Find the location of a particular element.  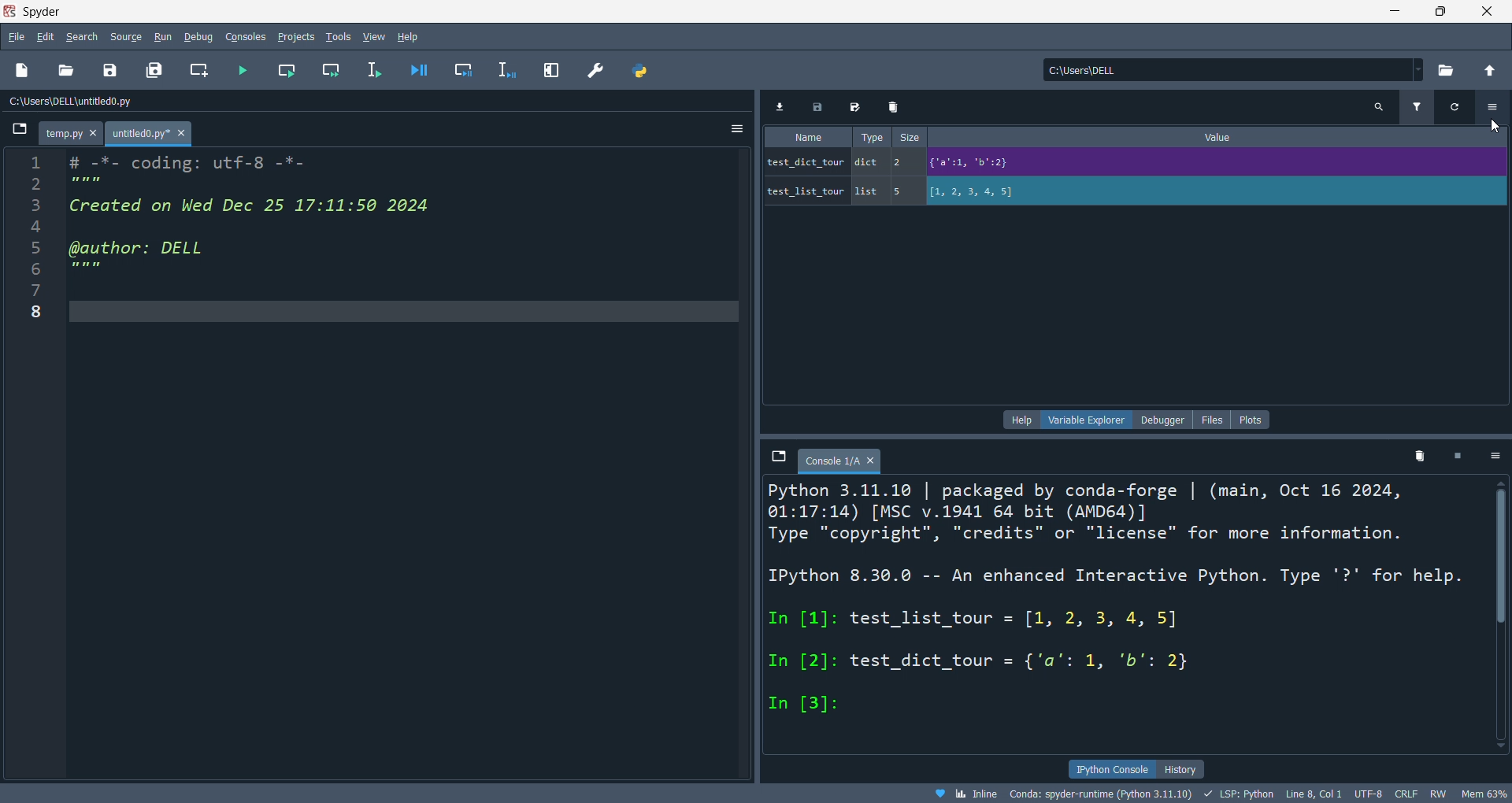

console is located at coordinates (245, 37).